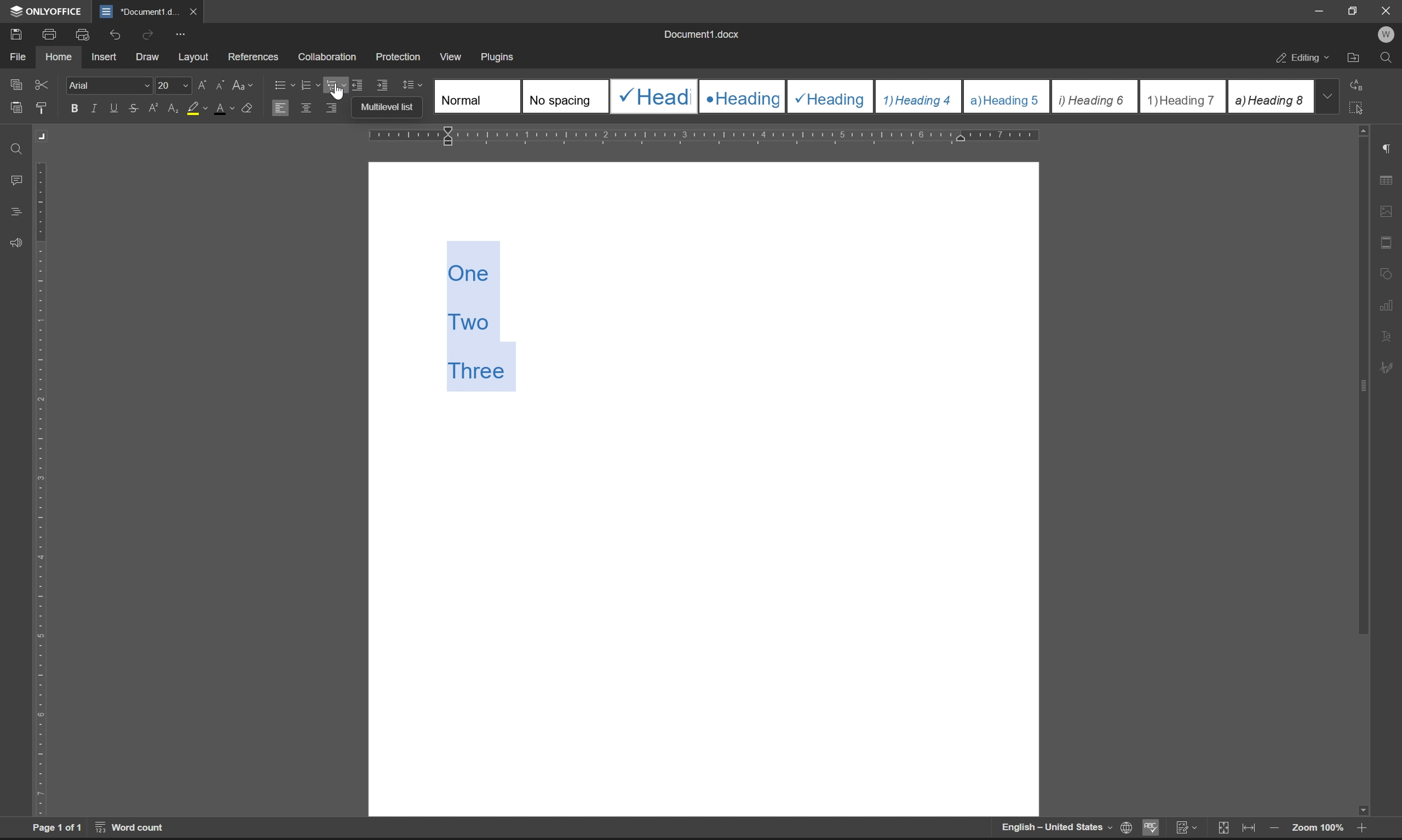 Image resolution: width=1402 pixels, height=840 pixels. I want to click on track changes, so click(1186, 828).